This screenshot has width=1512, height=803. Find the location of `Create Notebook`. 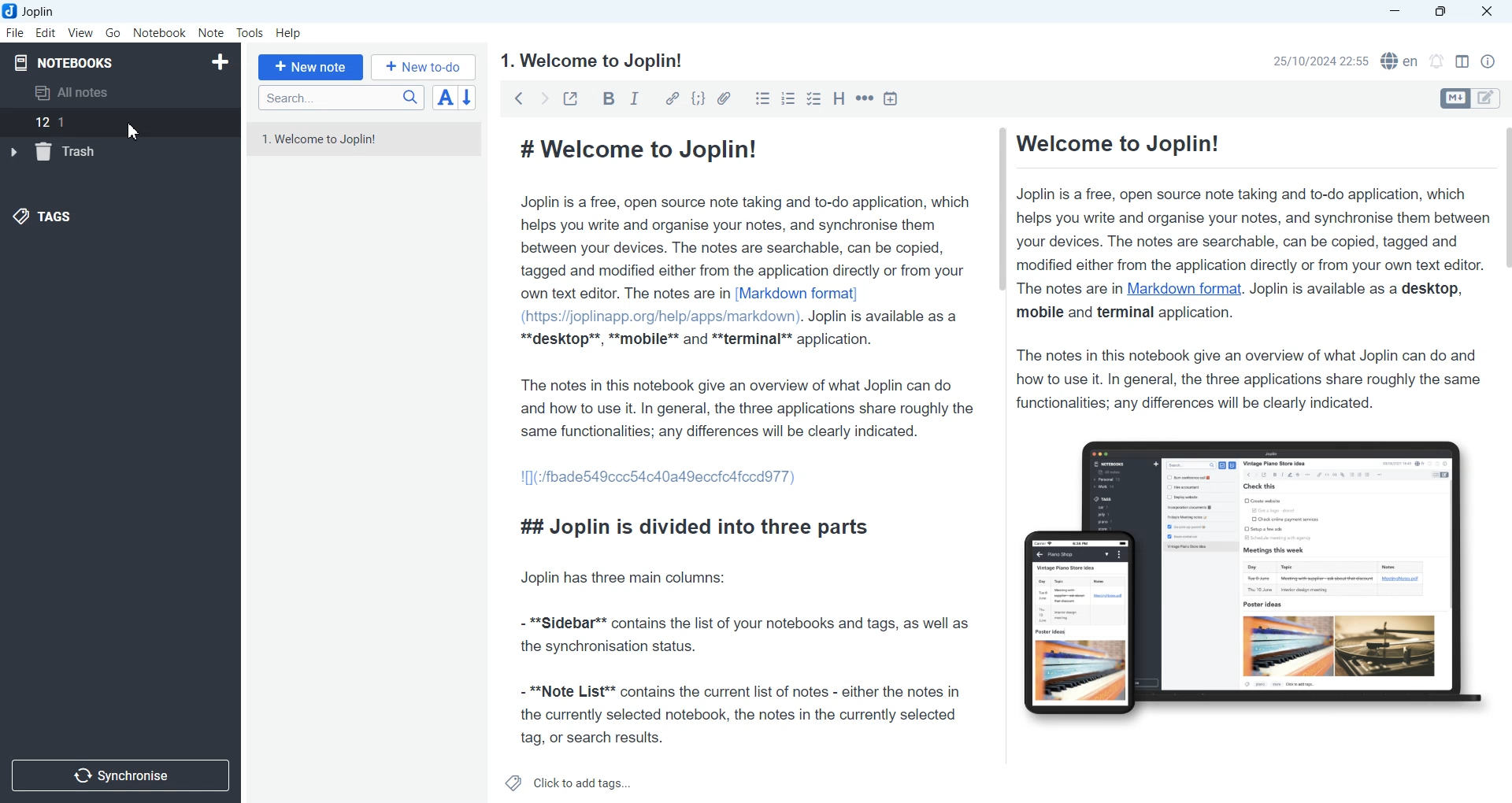

Create Notebook is located at coordinates (221, 60).